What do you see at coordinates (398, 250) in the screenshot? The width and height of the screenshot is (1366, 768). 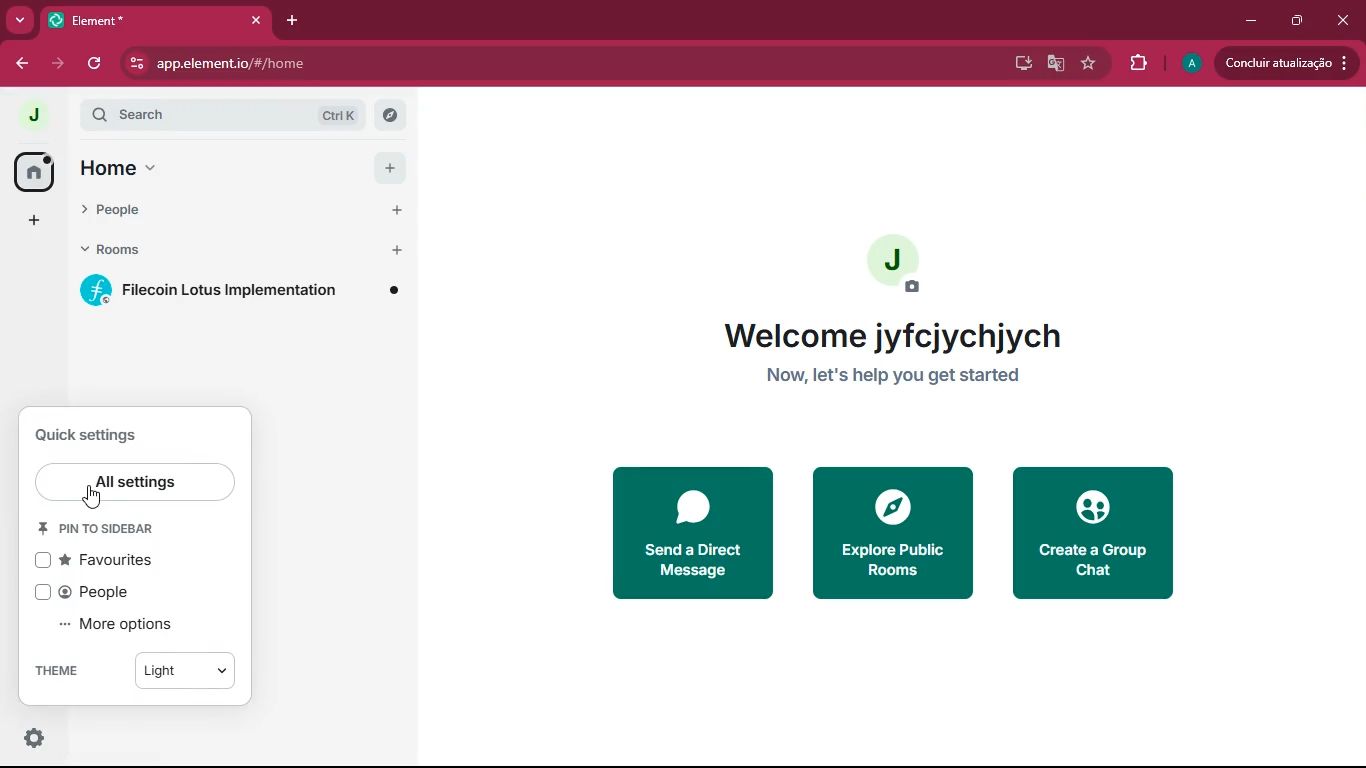 I see `add room` at bounding box center [398, 250].